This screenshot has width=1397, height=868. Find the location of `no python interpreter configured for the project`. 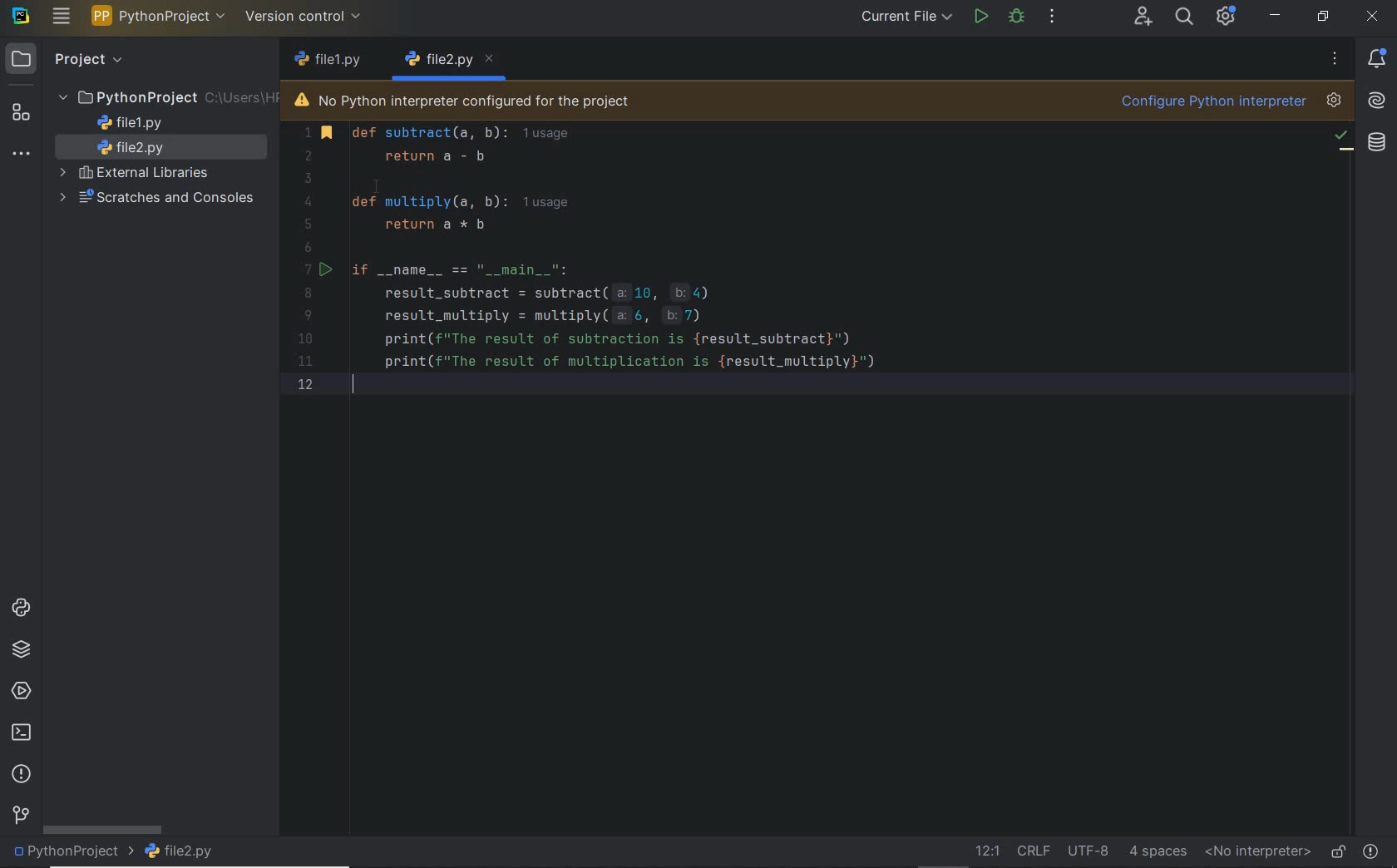

no python interpreter configured for the project is located at coordinates (463, 101).